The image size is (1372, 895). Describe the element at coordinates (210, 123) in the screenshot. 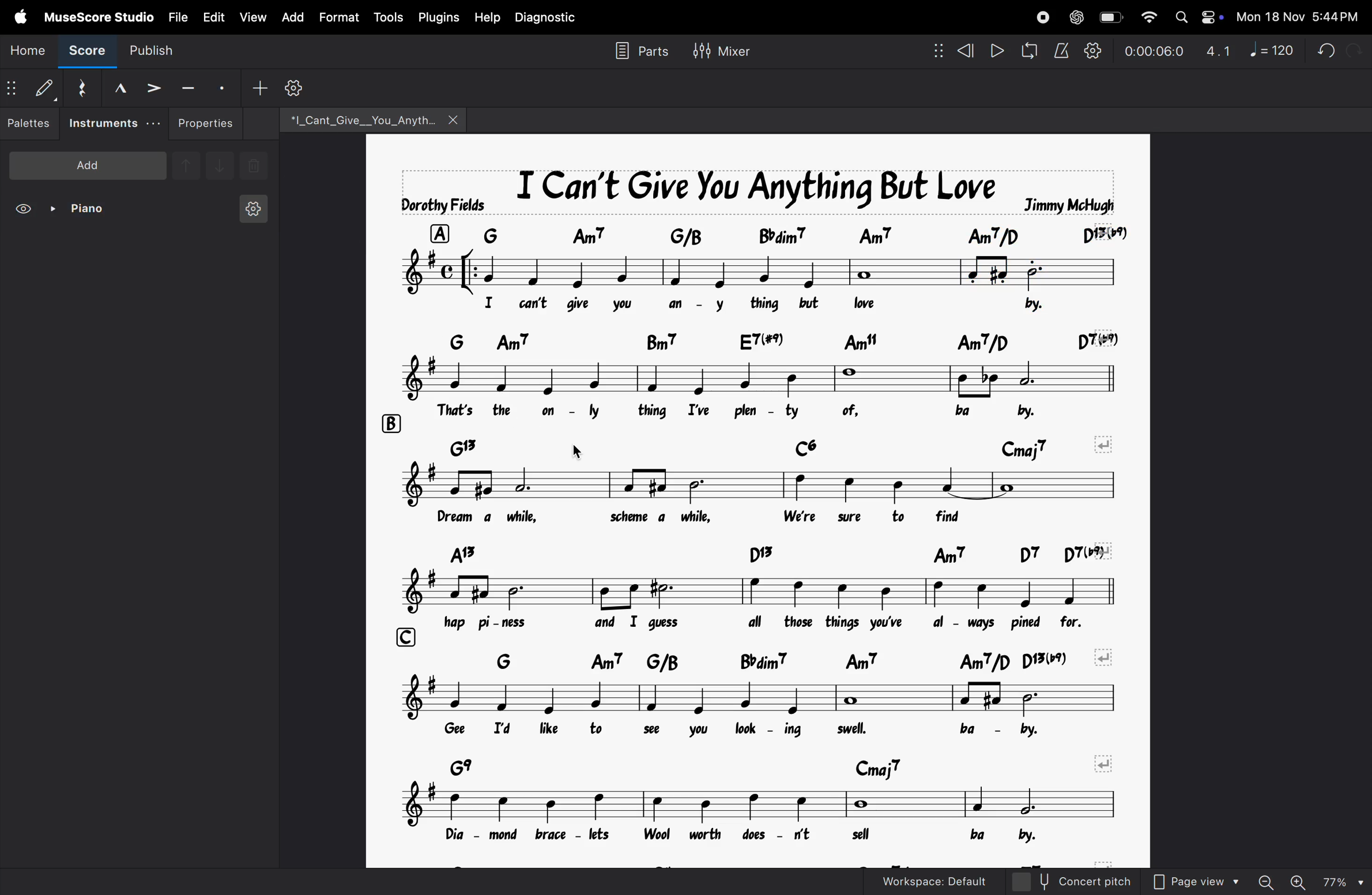

I see `properties` at that location.